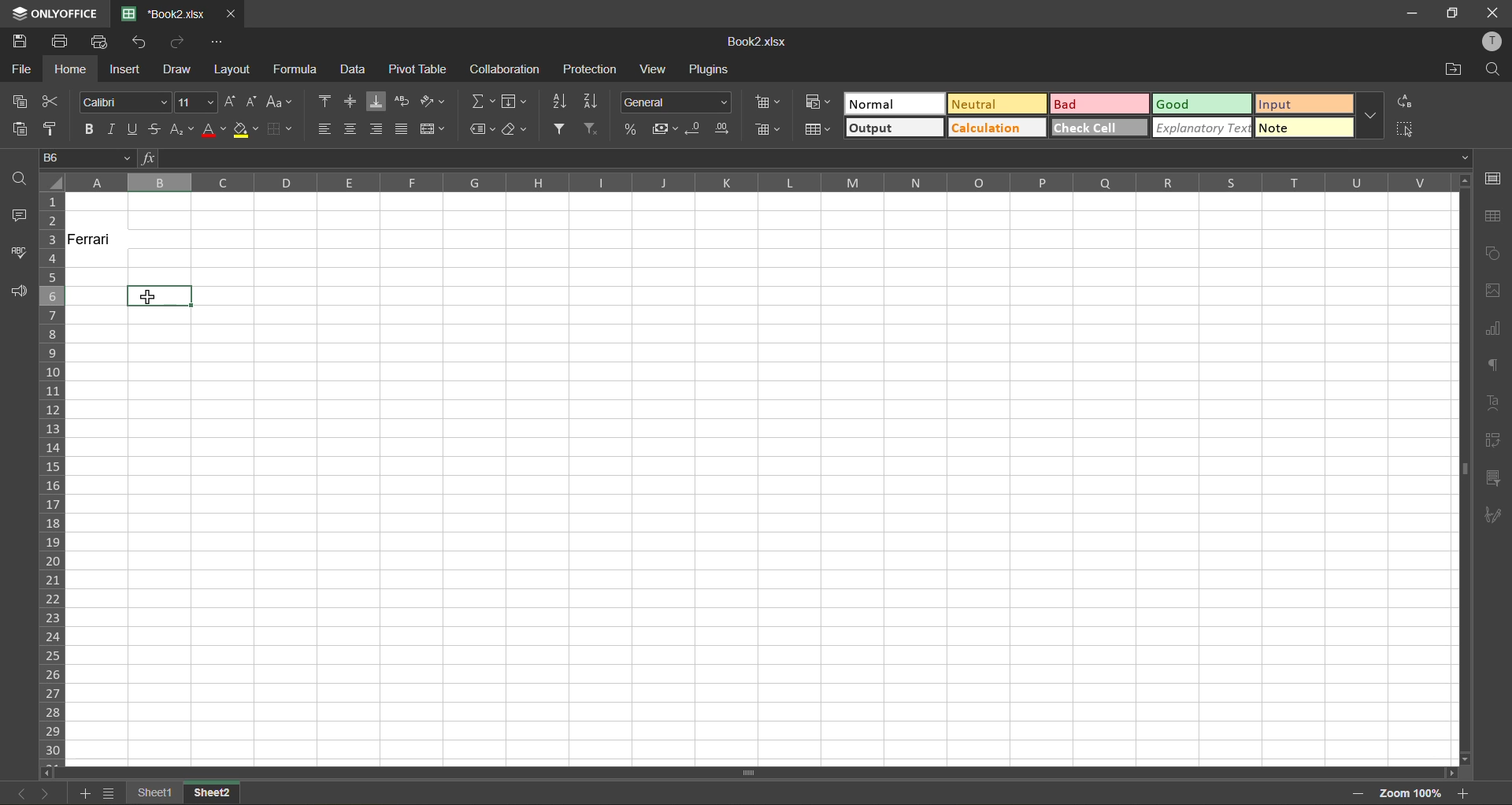 The image size is (1512, 805). I want to click on increase decimal, so click(723, 129).